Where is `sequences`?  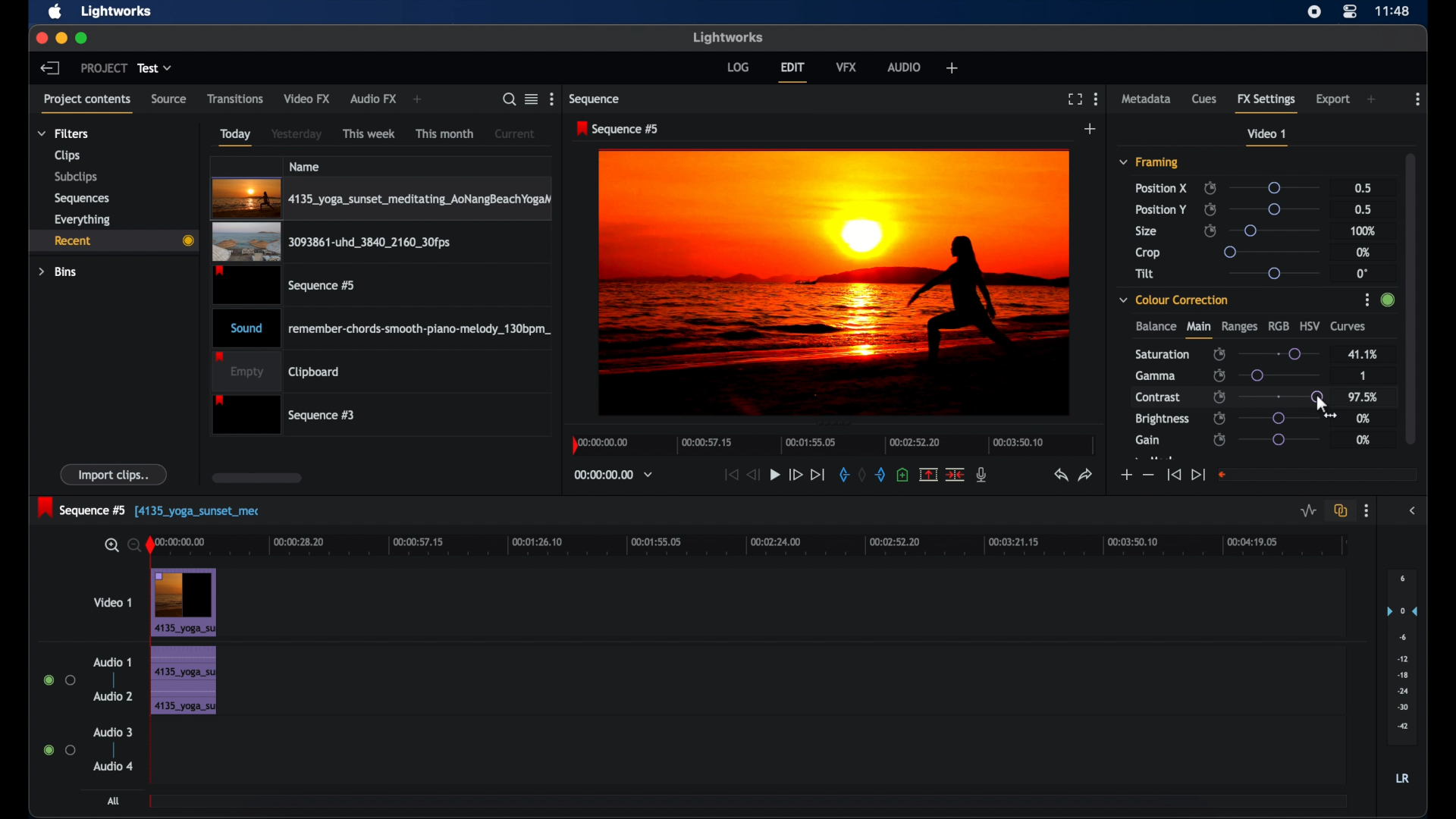 sequences is located at coordinates (82, 197).